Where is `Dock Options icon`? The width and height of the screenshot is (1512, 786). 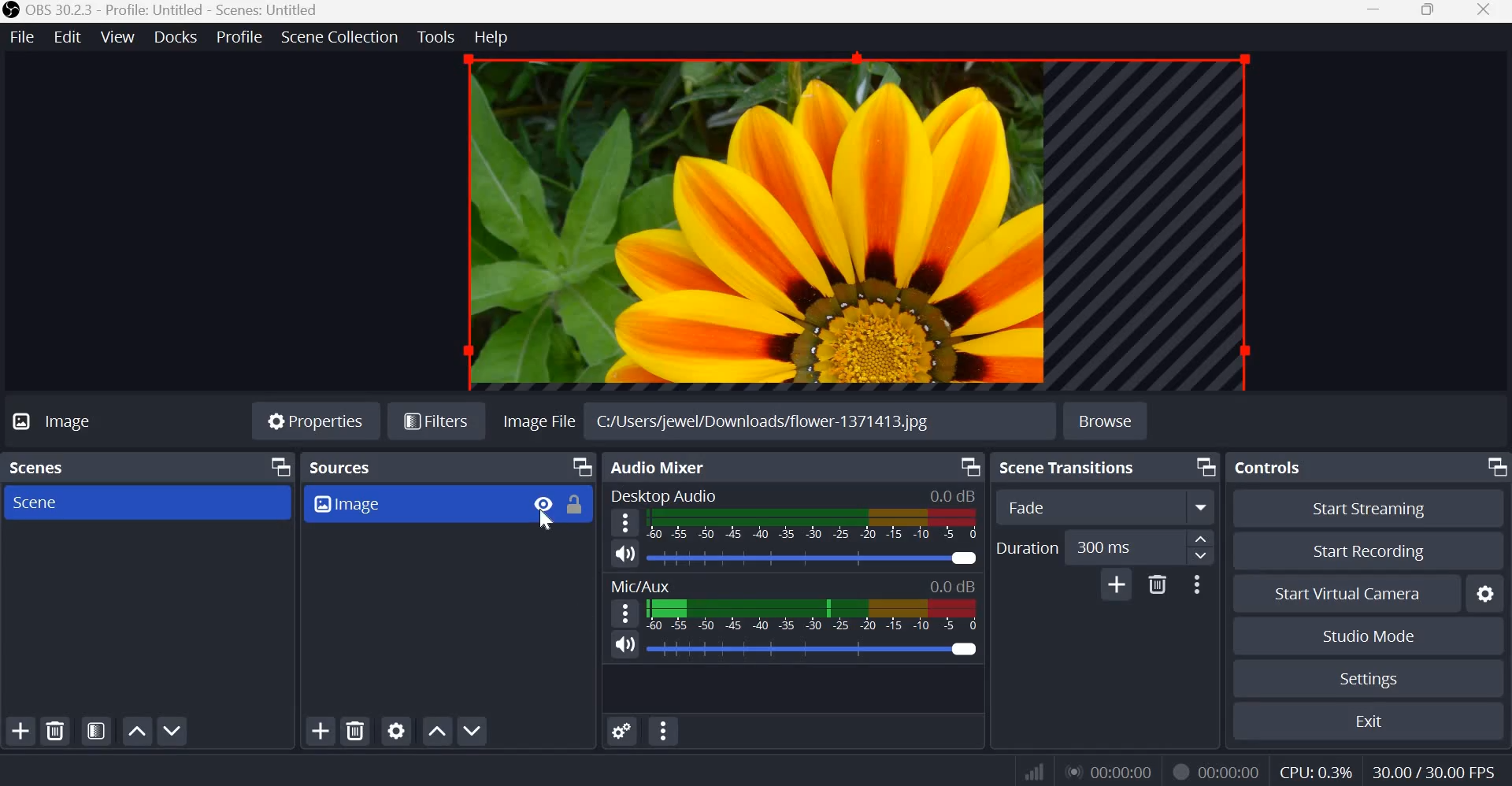
Dock Options icon is located at coordinates (1206, 465).